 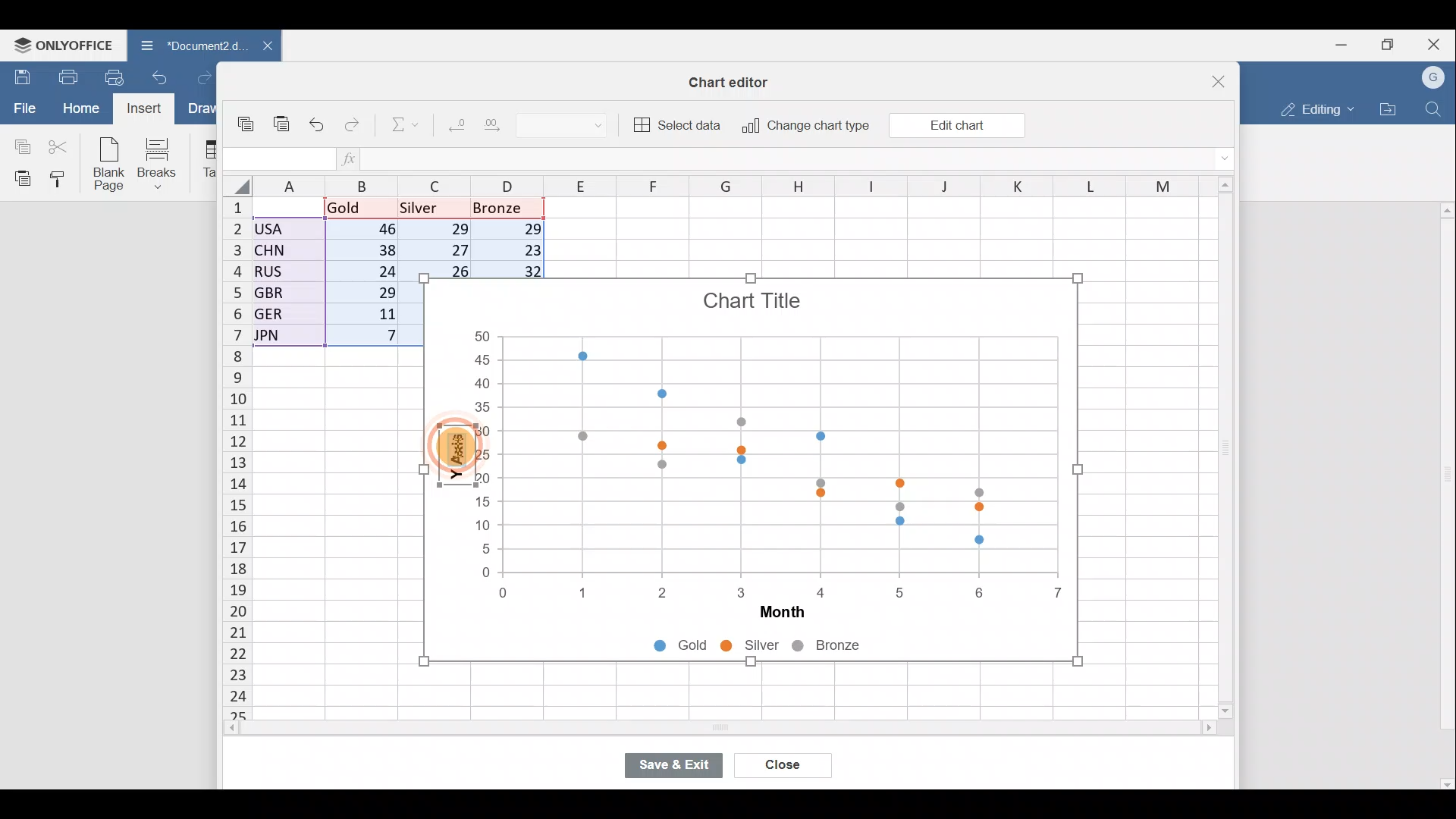 What do you see at coordinates (208, 160) in the screenshot?
I see `Table` at bounding box center [208, 160].